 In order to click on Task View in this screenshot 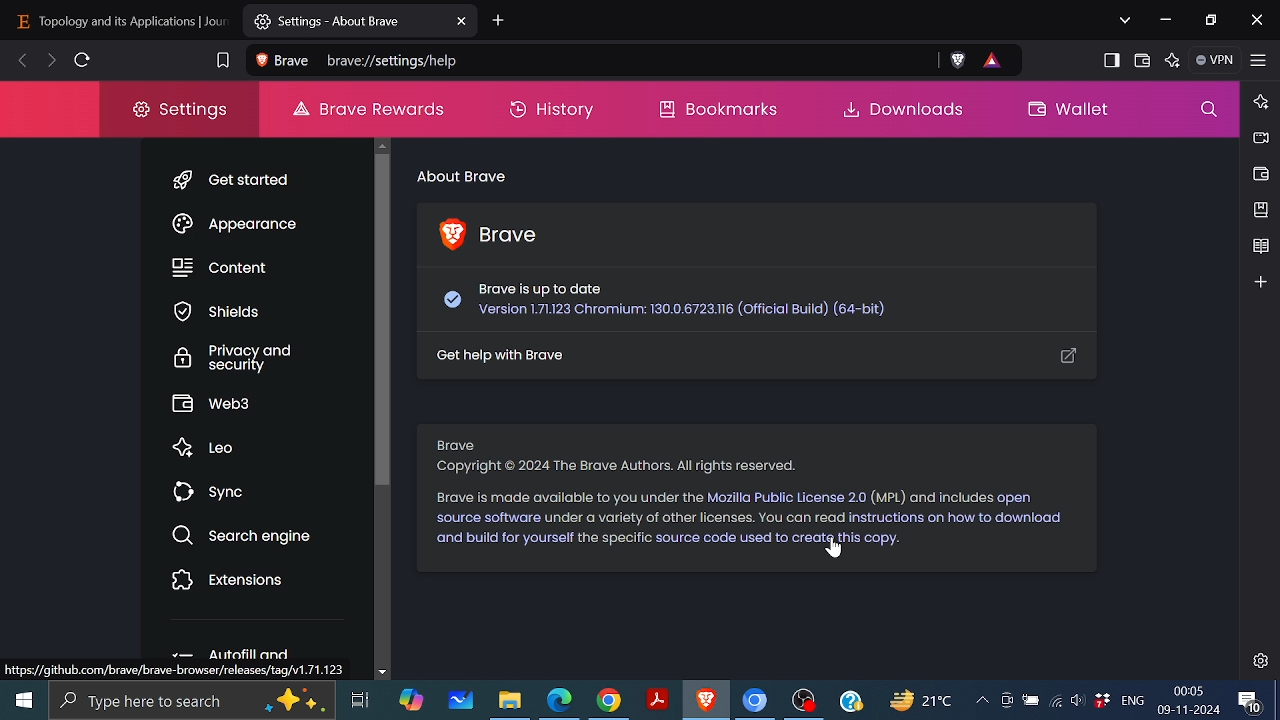, I will do `click(361, 698)`.